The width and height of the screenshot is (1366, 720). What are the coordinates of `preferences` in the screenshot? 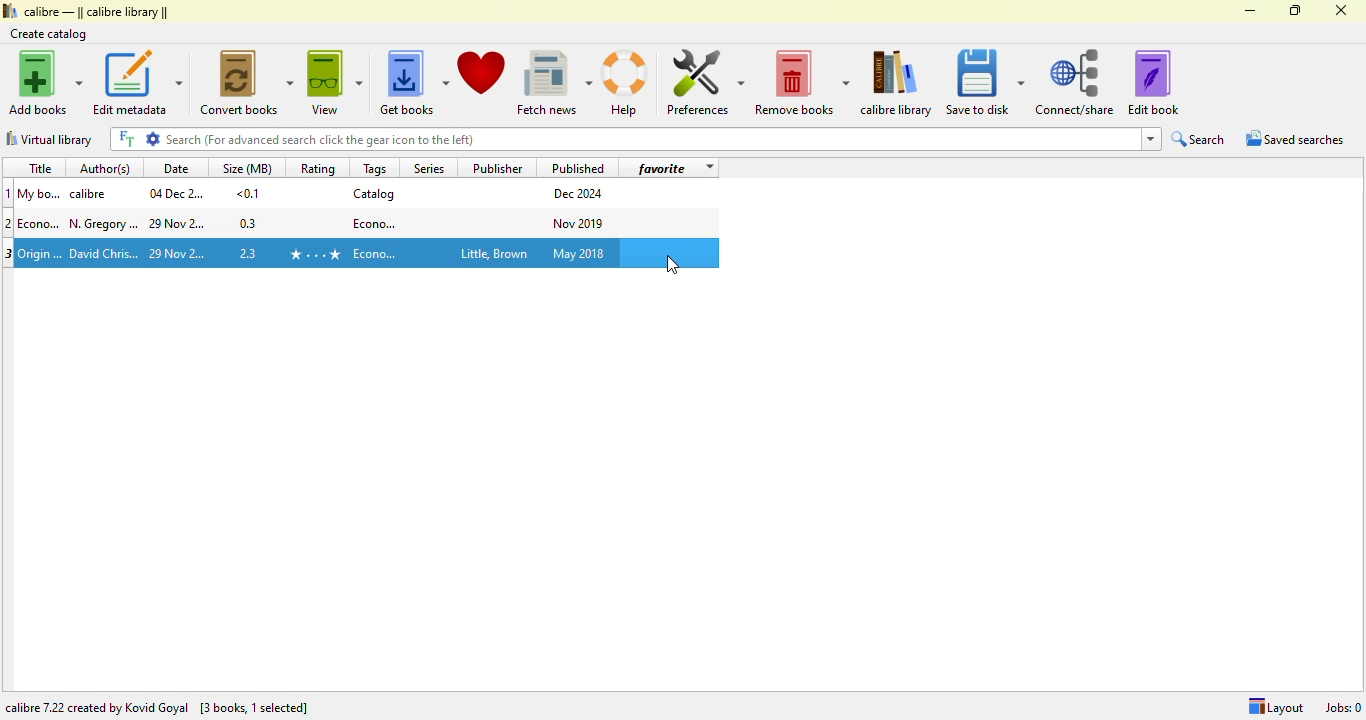 It's located at (704, 82).